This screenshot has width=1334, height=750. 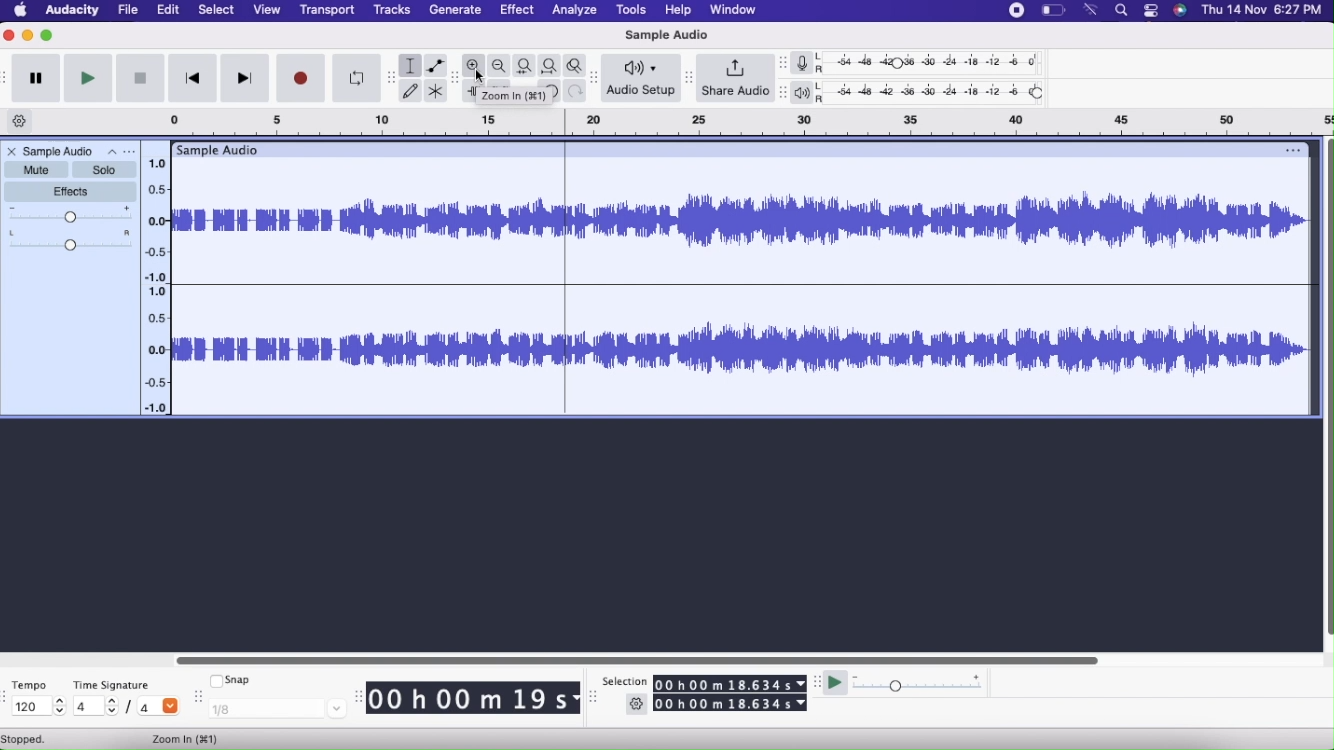 What do you see at coordinates (411, 65) in the screenshot?
I see `Selection tool` at bounding box center [411, 65].